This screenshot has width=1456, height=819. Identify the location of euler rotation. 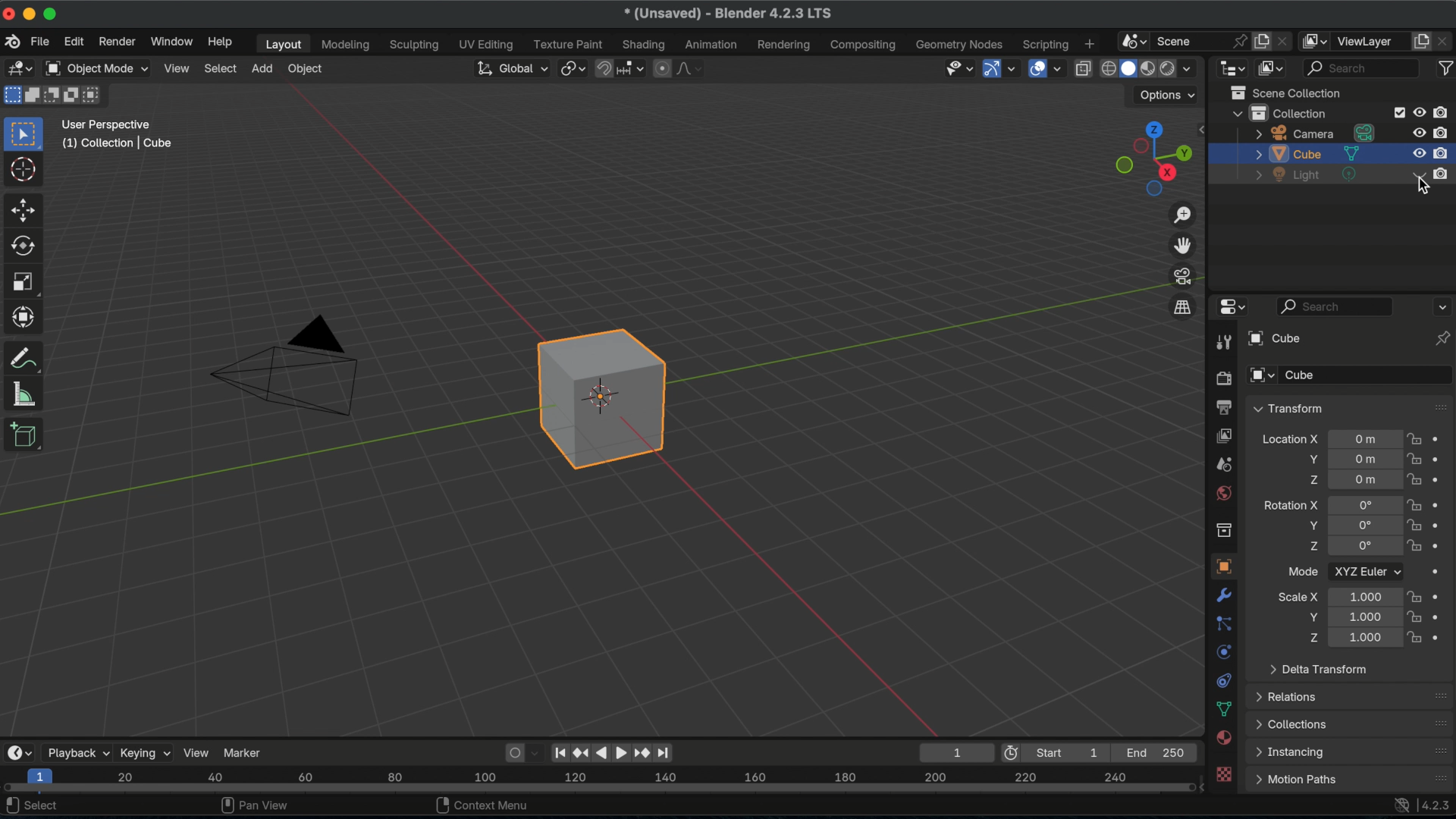
(1363, 526).